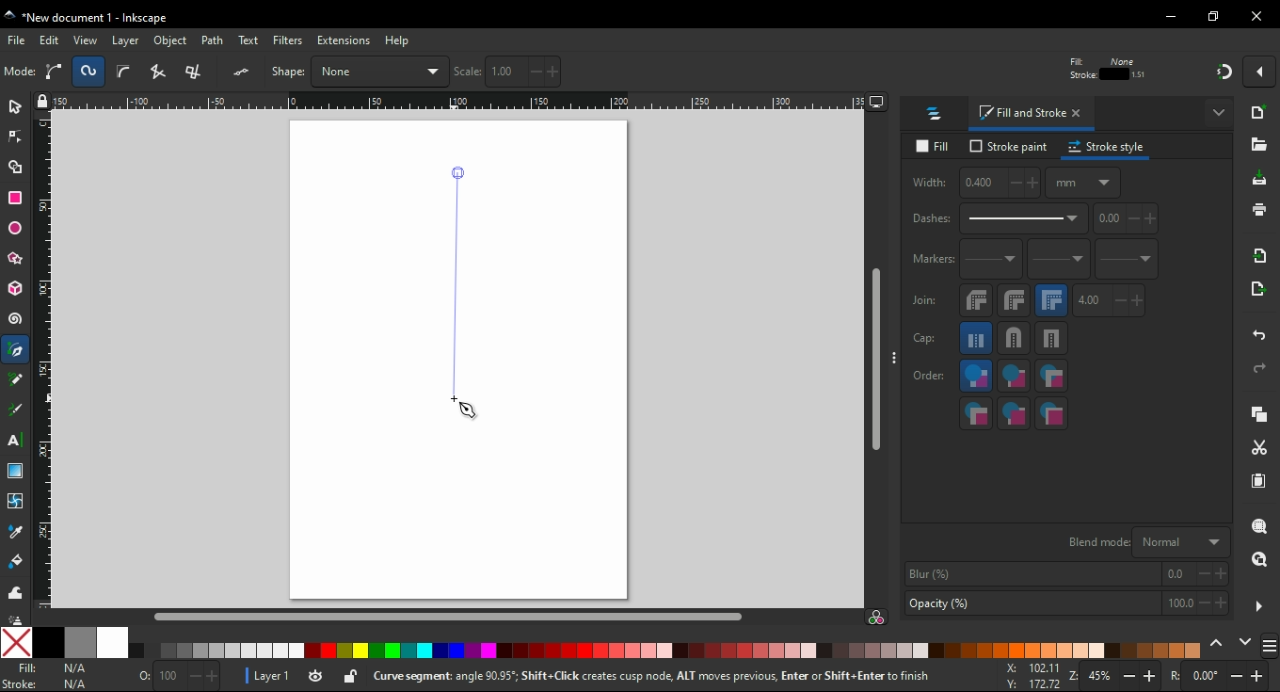 The width and height of the screenshot is (1280, 692). What do you see at coordinates (50, 40) in the screenshot?
I see `edit` at bounding box center [50, 40].